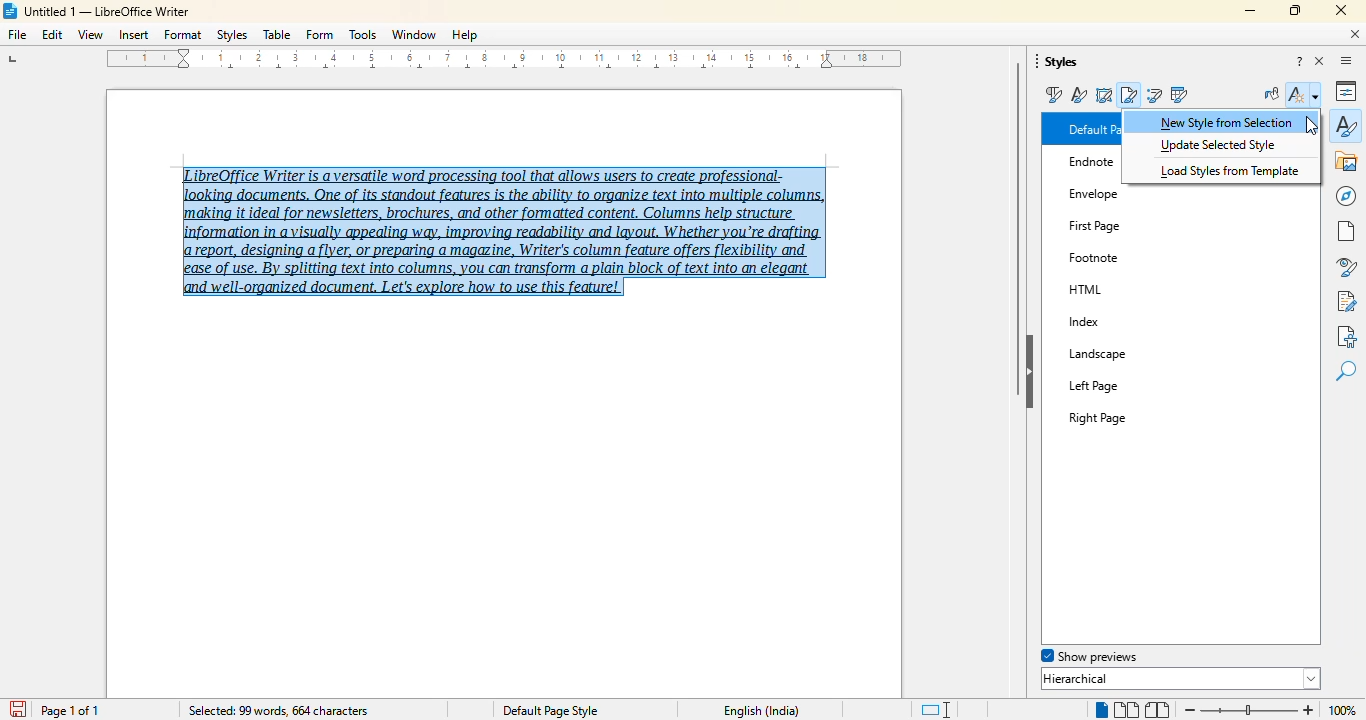 The height and width of the screenshot is (720, 1366). I want to click on zoom in, so click(1307, 710).